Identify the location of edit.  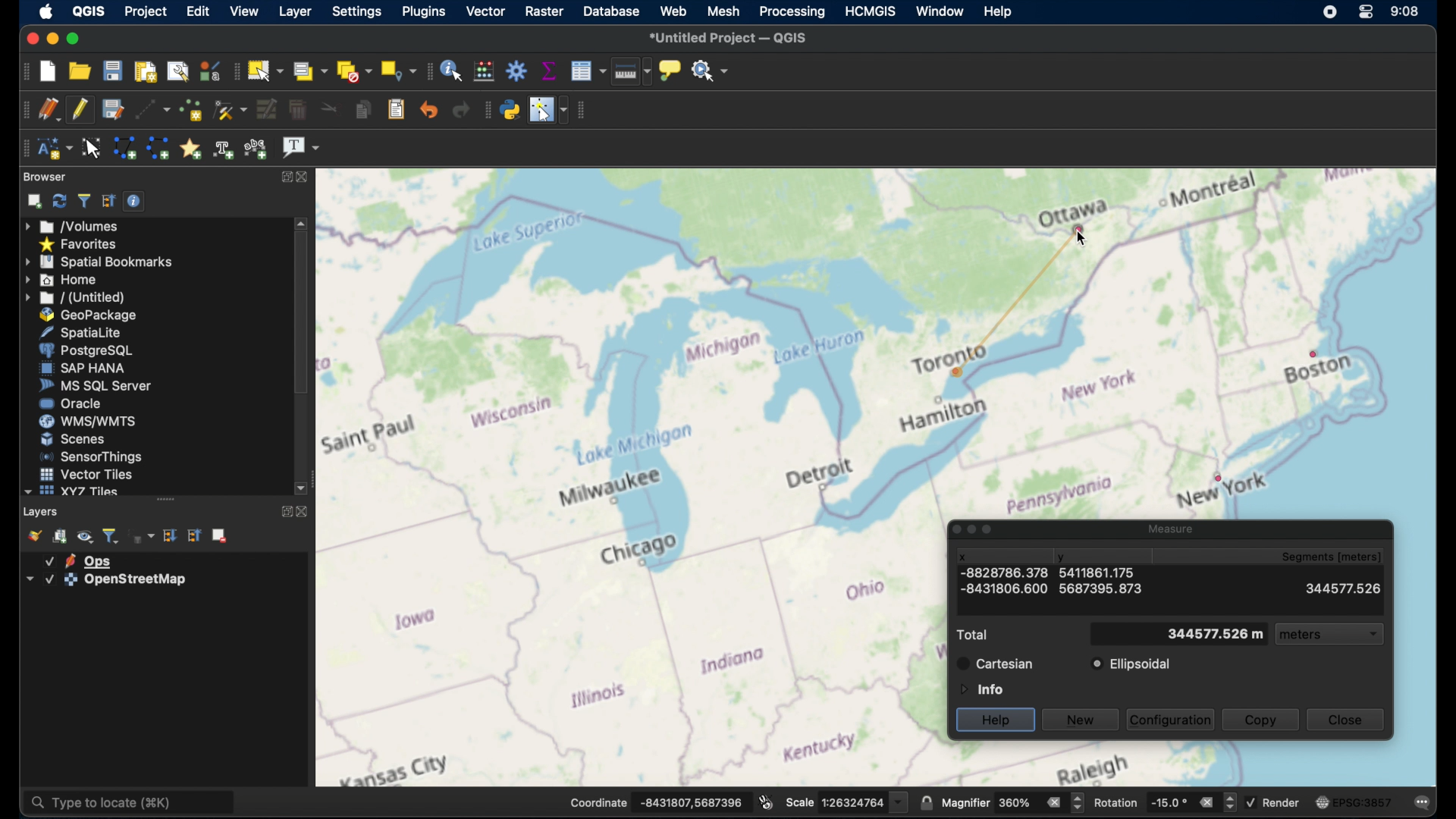
(197, 11).